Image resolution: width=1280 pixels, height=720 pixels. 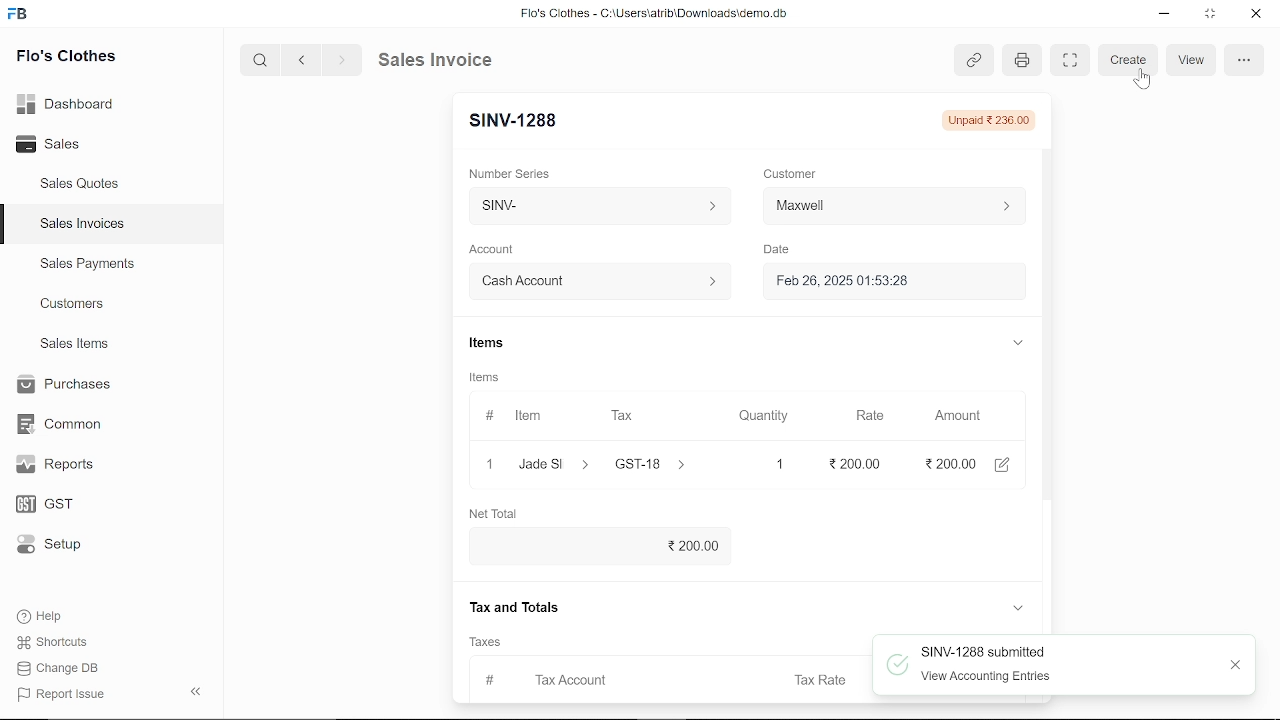 What do you see at coordinates (63, 643) in the screenshot?
I see `Shortcuts` at bounding box center [63, 643].